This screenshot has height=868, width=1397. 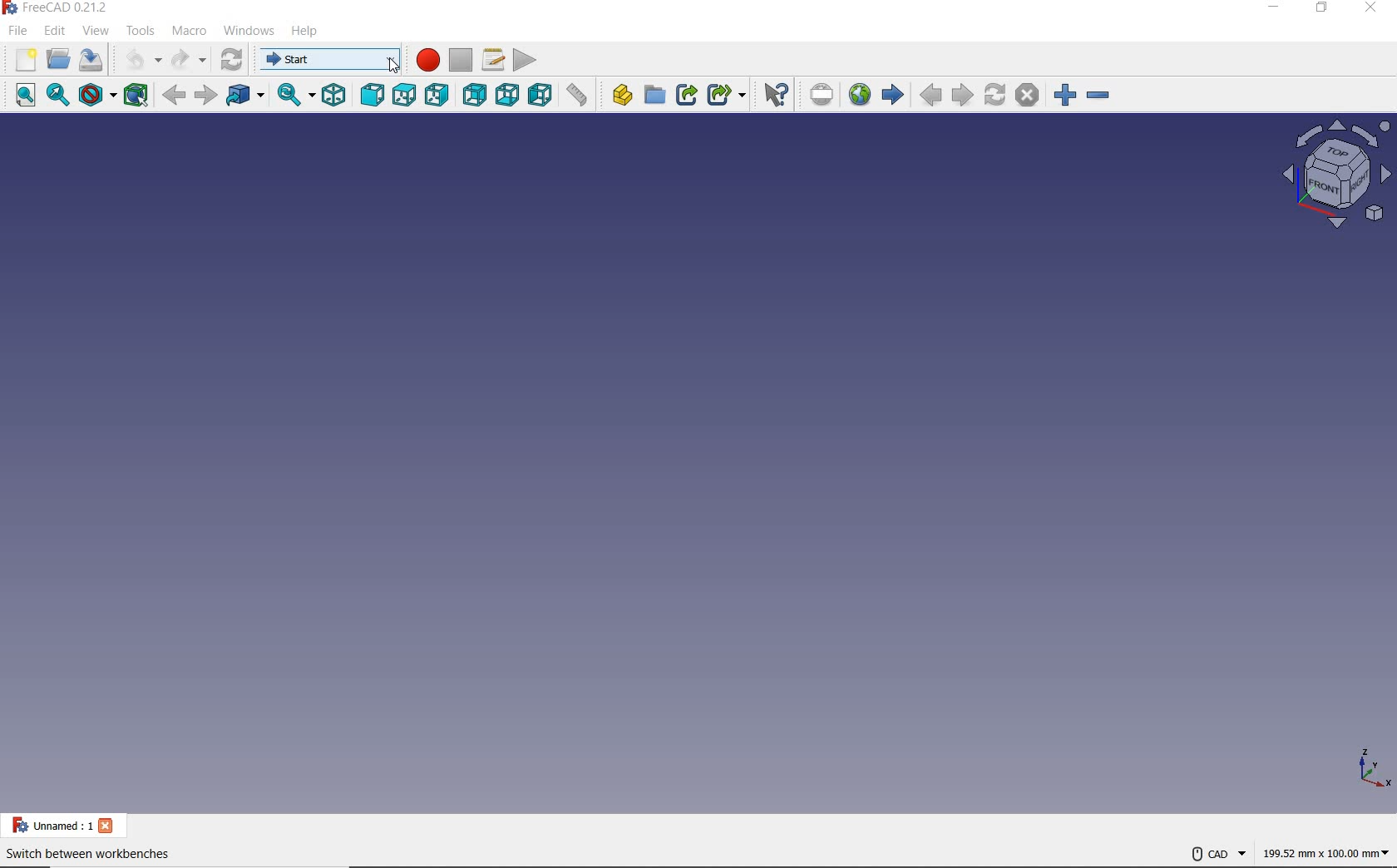 What do you see at coordinates (1322, 11) in the screenshot?
I see `RESTORE DOWN` at bounding box center [1322, 11].